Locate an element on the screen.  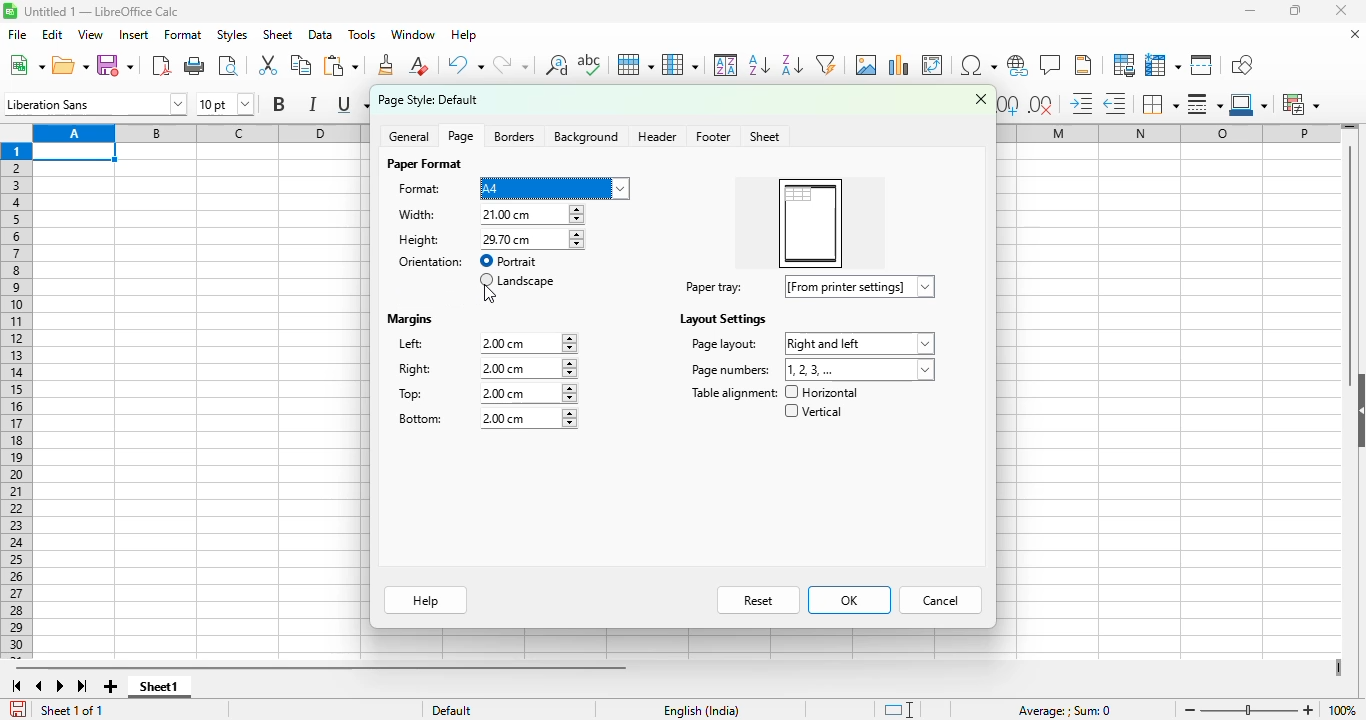
delete decimal is located at coordinates (1041, 105).